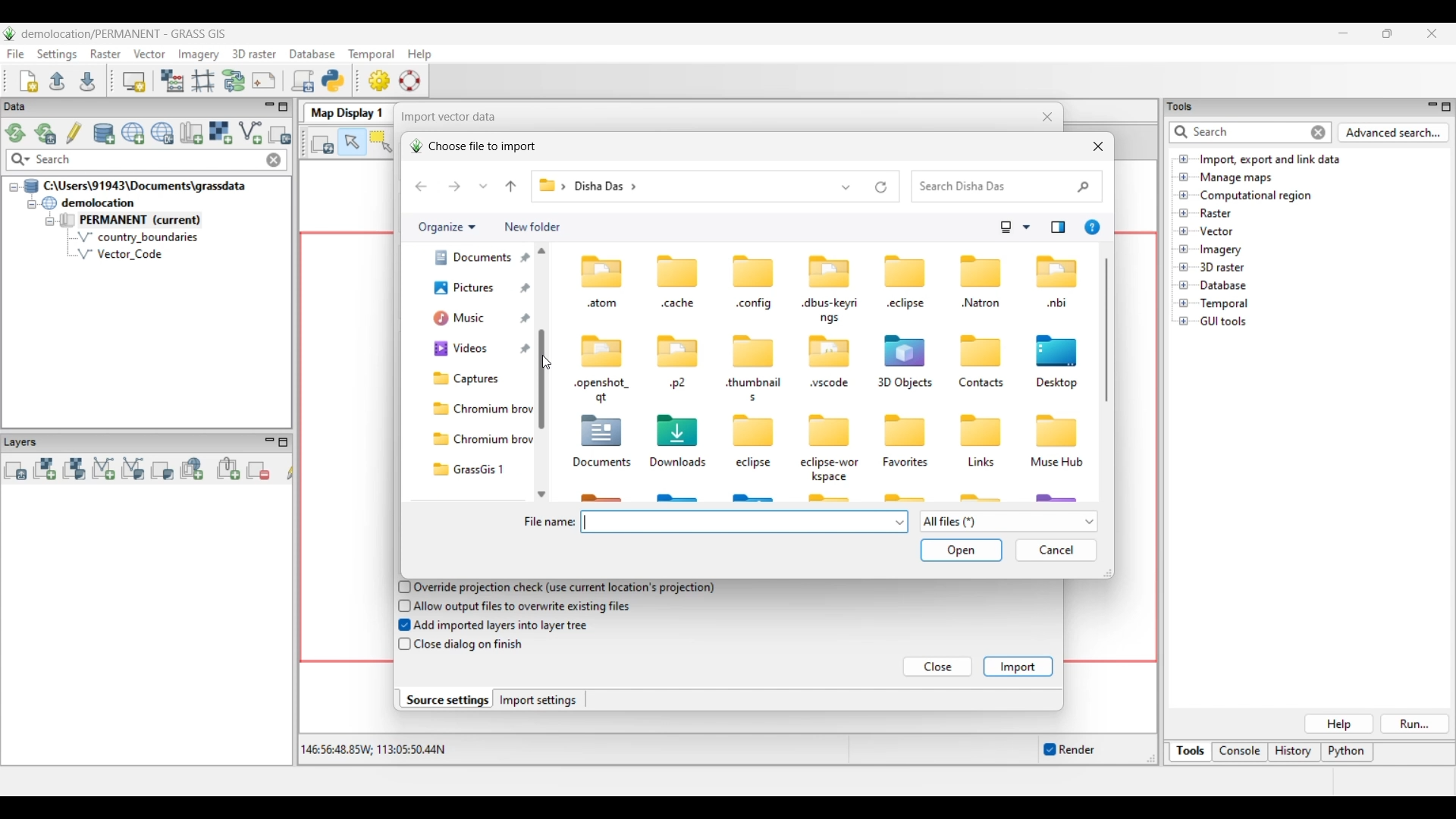  What do you see at coordinates (234, 80) in the screenshot?
I see `Graphical Modeler` at bounding box center [234, 80].